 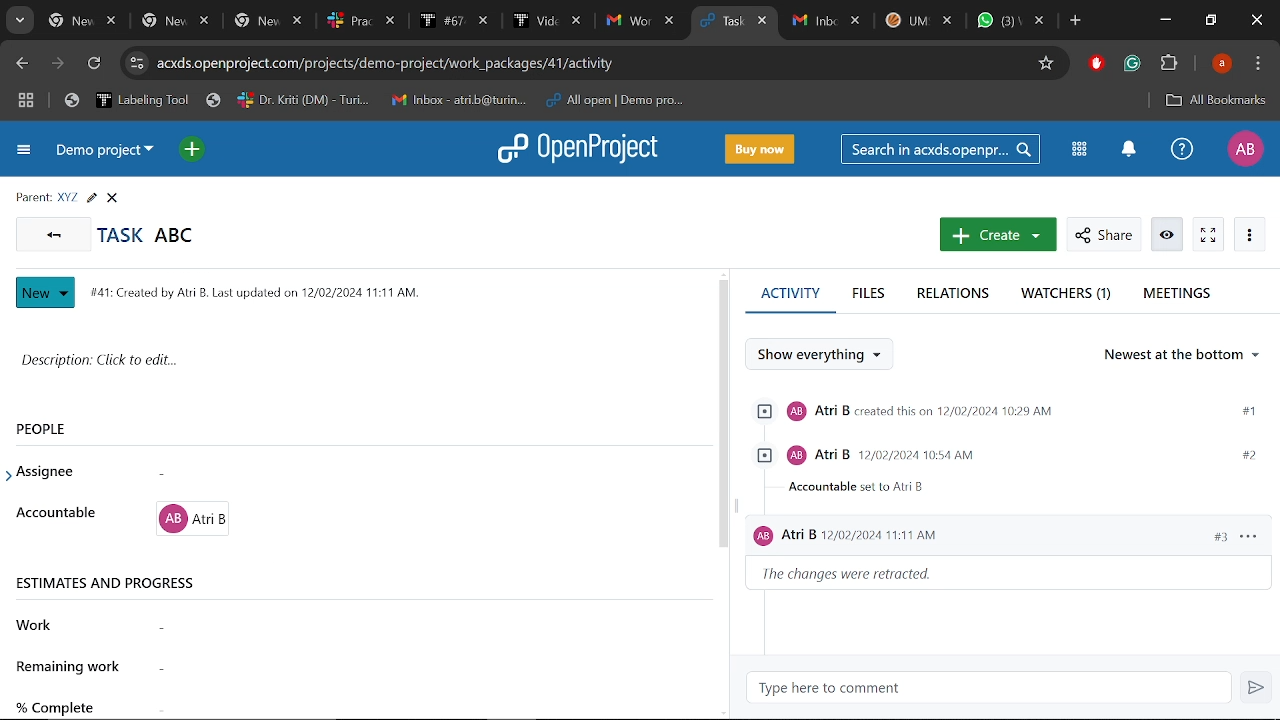 What do you see at coordinates (91, 198) in the screenshot?
I see `Edit` at bounding box center [91, 198].